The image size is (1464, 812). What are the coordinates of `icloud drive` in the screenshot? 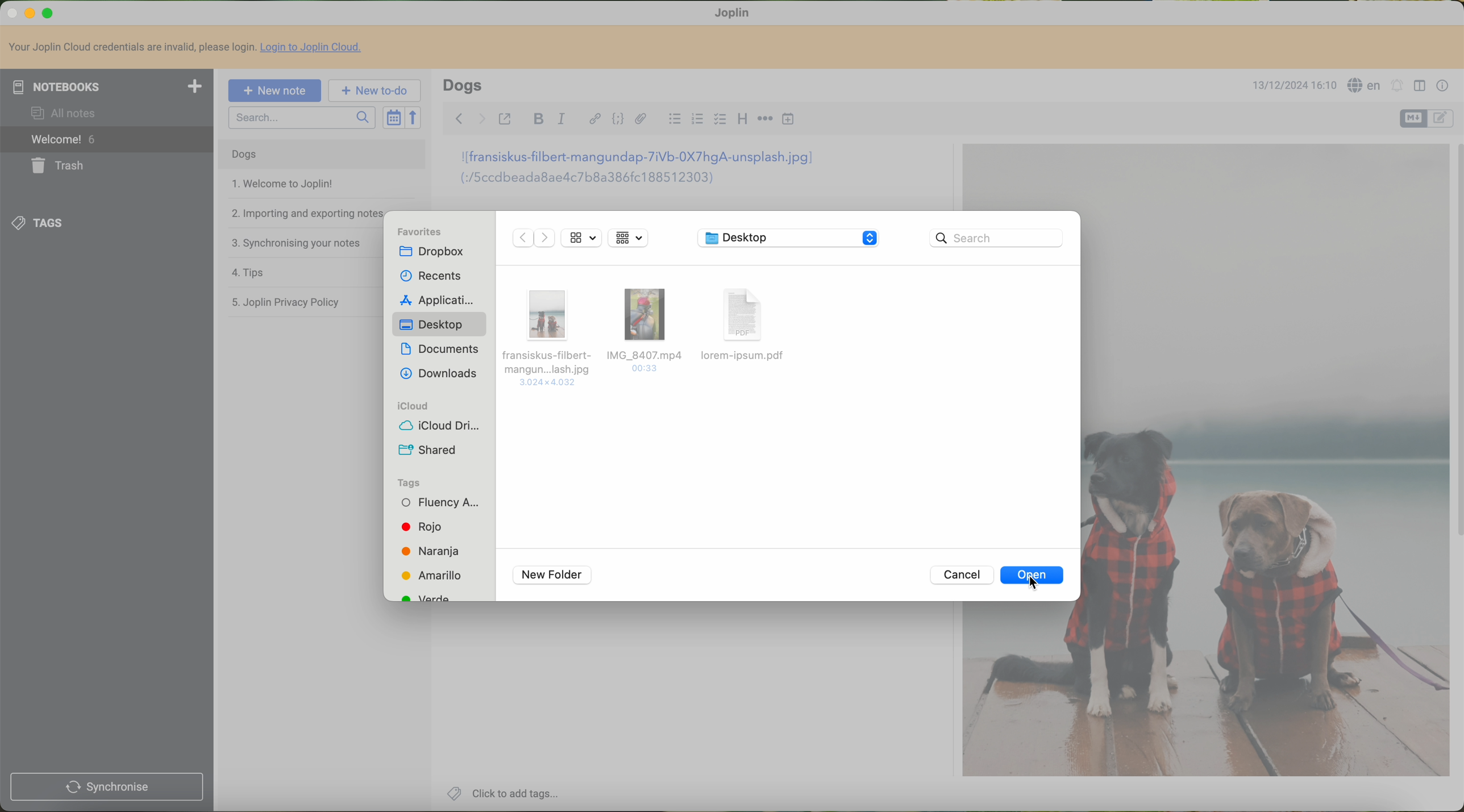 It's located at (440, 428).